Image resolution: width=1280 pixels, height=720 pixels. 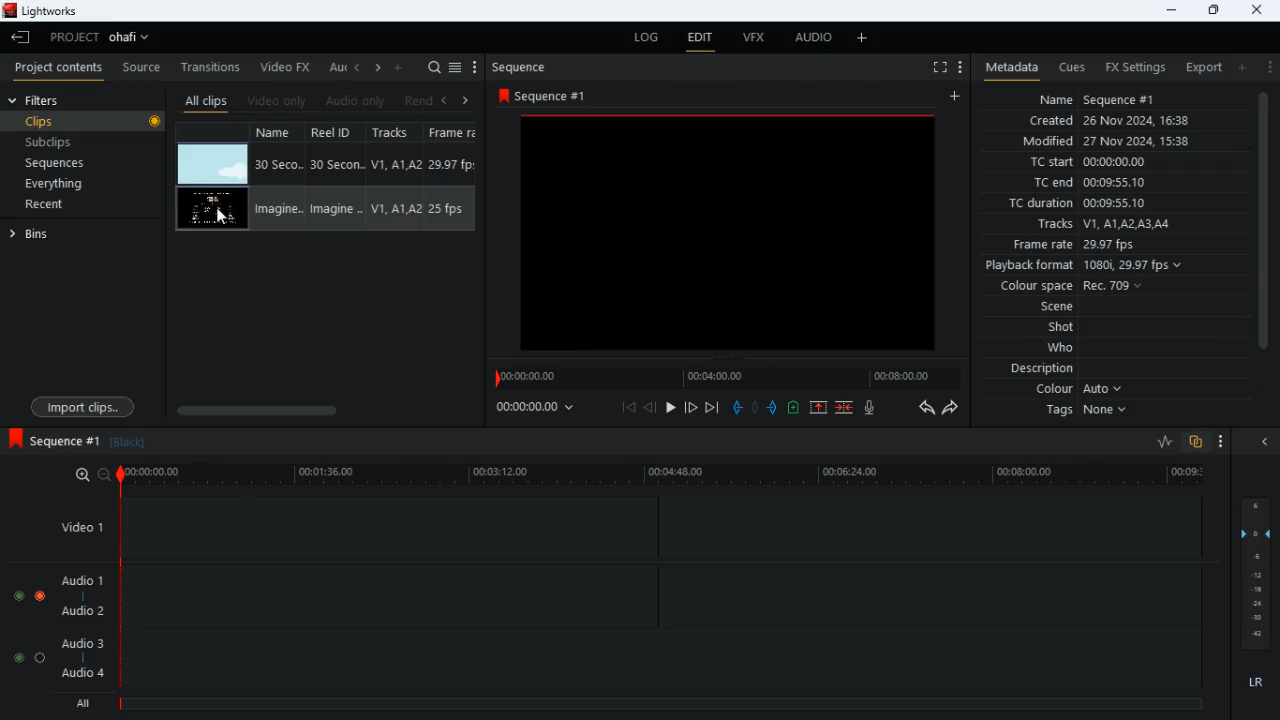 I want to click on audio selection buttons, so click(x=29, y=659).